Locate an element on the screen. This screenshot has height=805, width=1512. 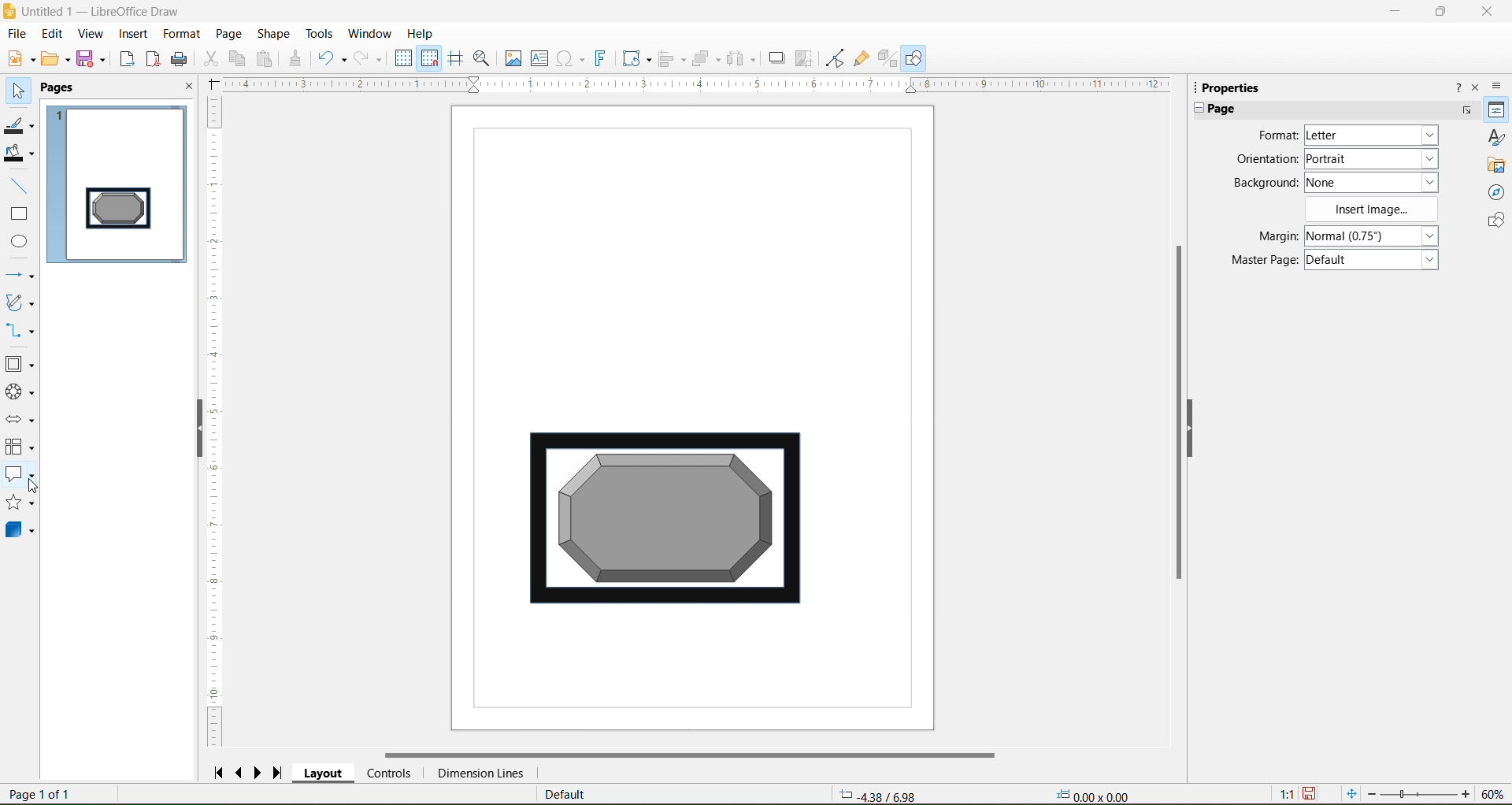
Block Arrows is located at coordinates (20, 420).